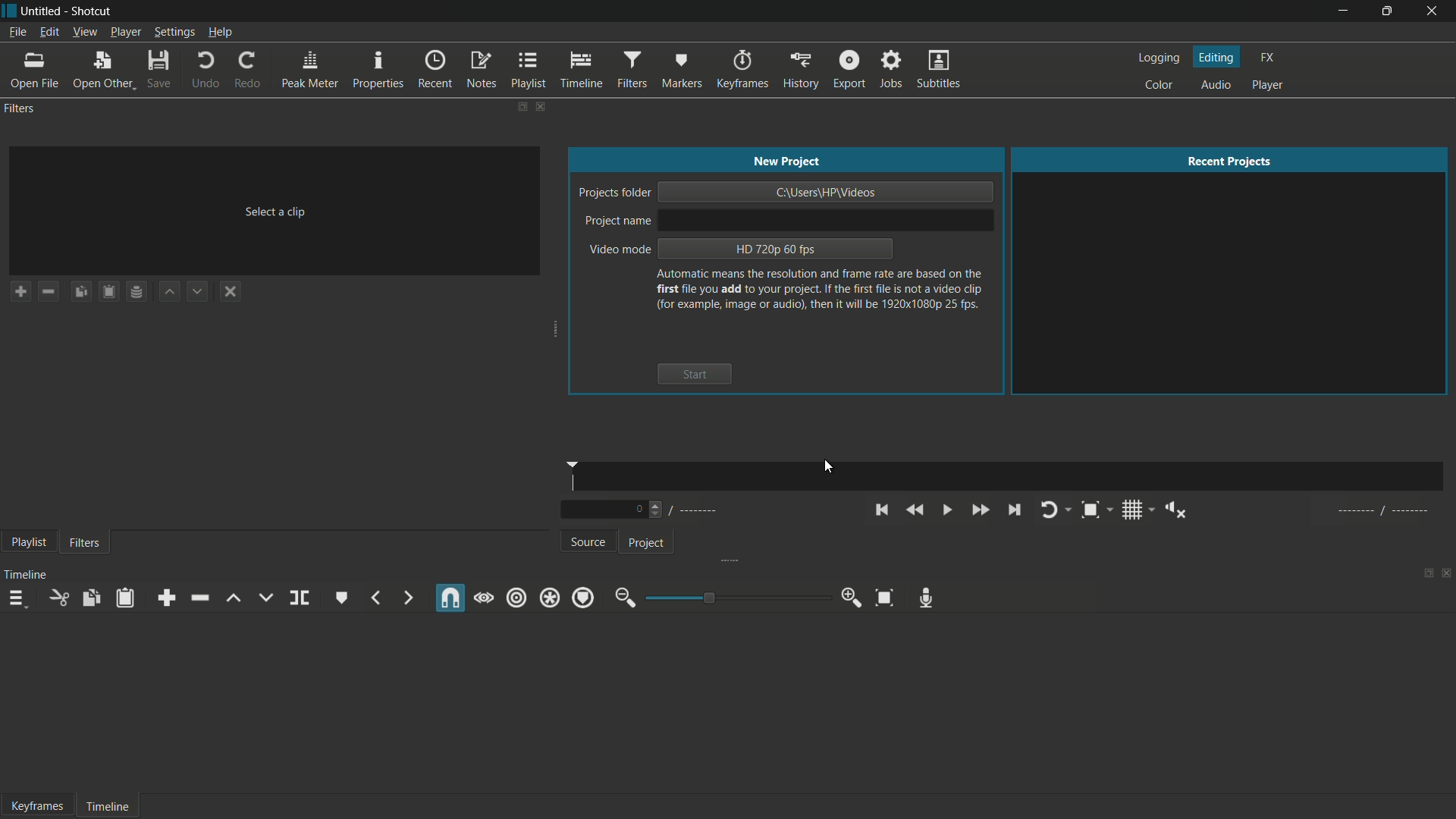  Describe the element at coordinates (199, 292) in the screenshot. I see `move filter down` at that location.